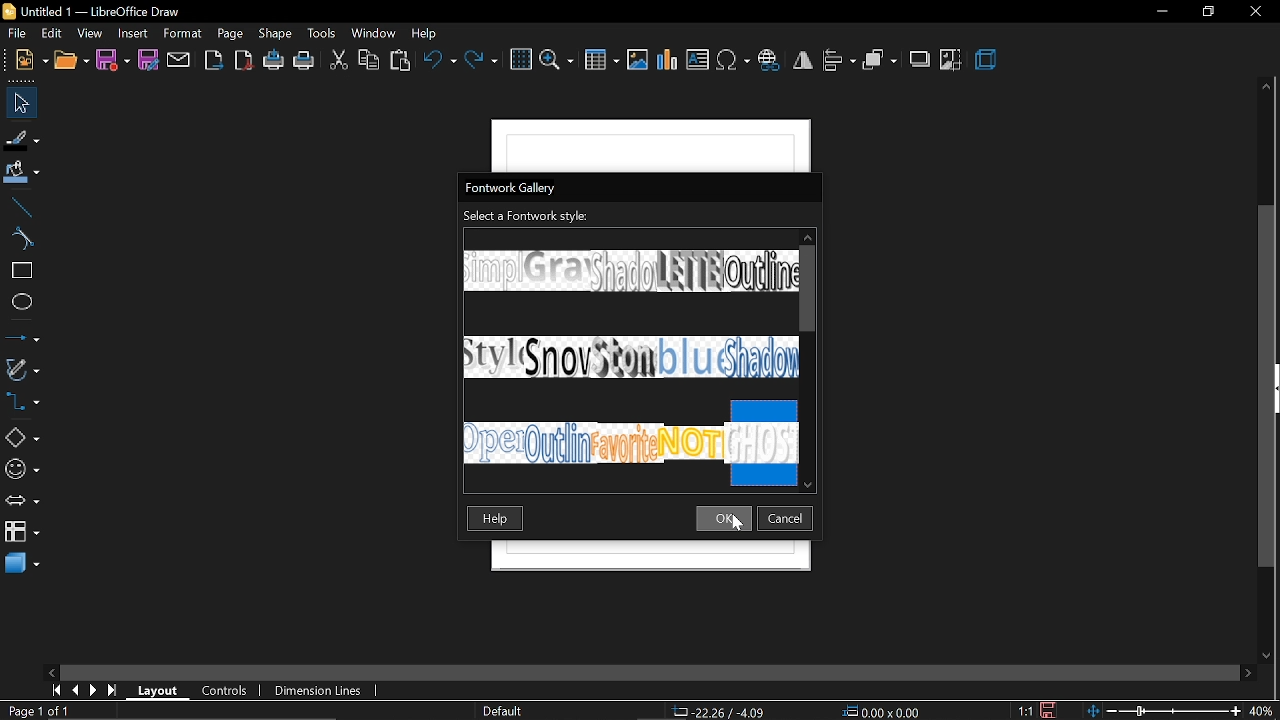  What do you see at coordinates (179, 62) in the screenshot?
I see `attach` at bounding box center [179, 62].